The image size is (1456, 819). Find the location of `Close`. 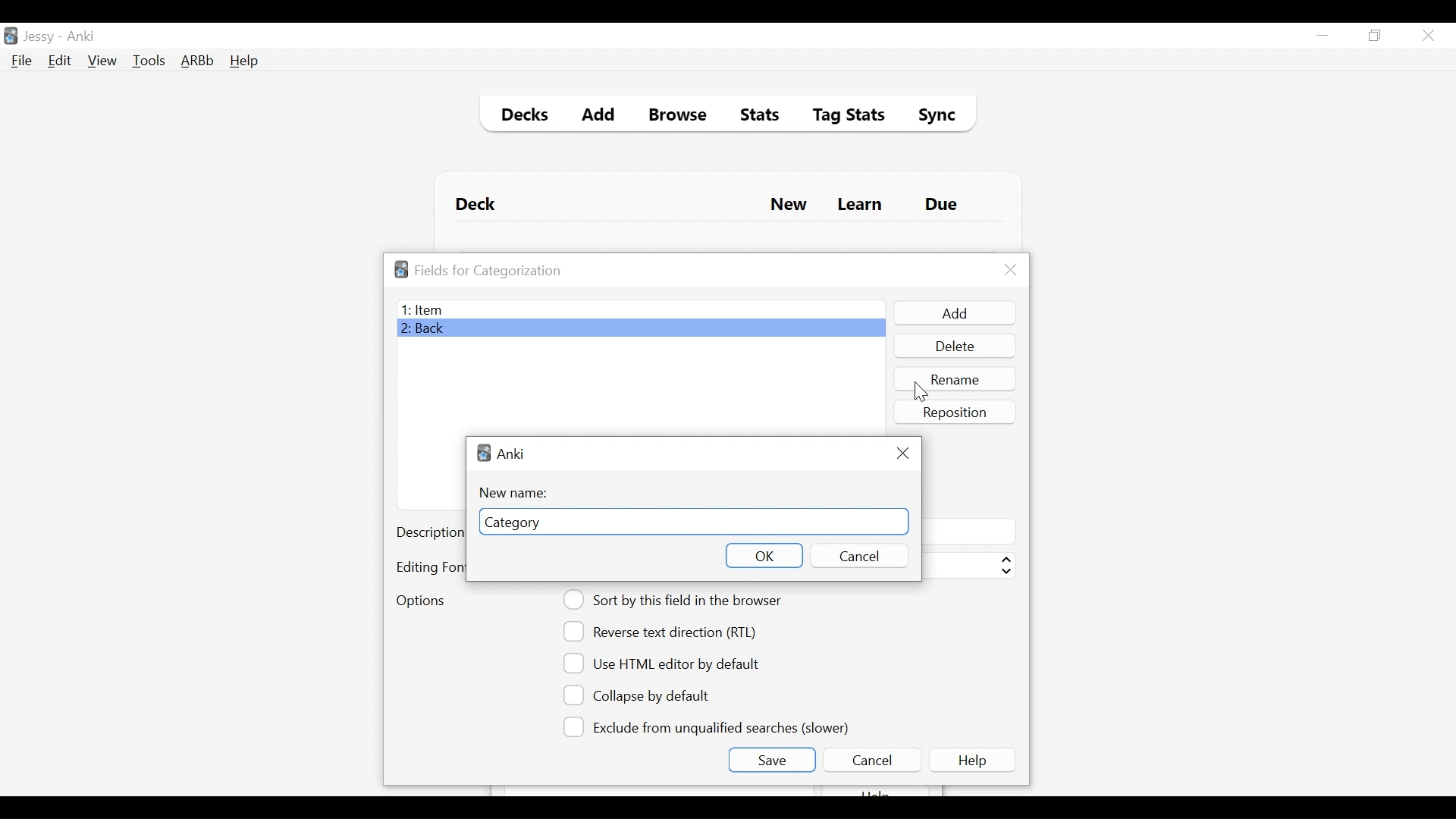

Close is located at coordinates (1011, 270).